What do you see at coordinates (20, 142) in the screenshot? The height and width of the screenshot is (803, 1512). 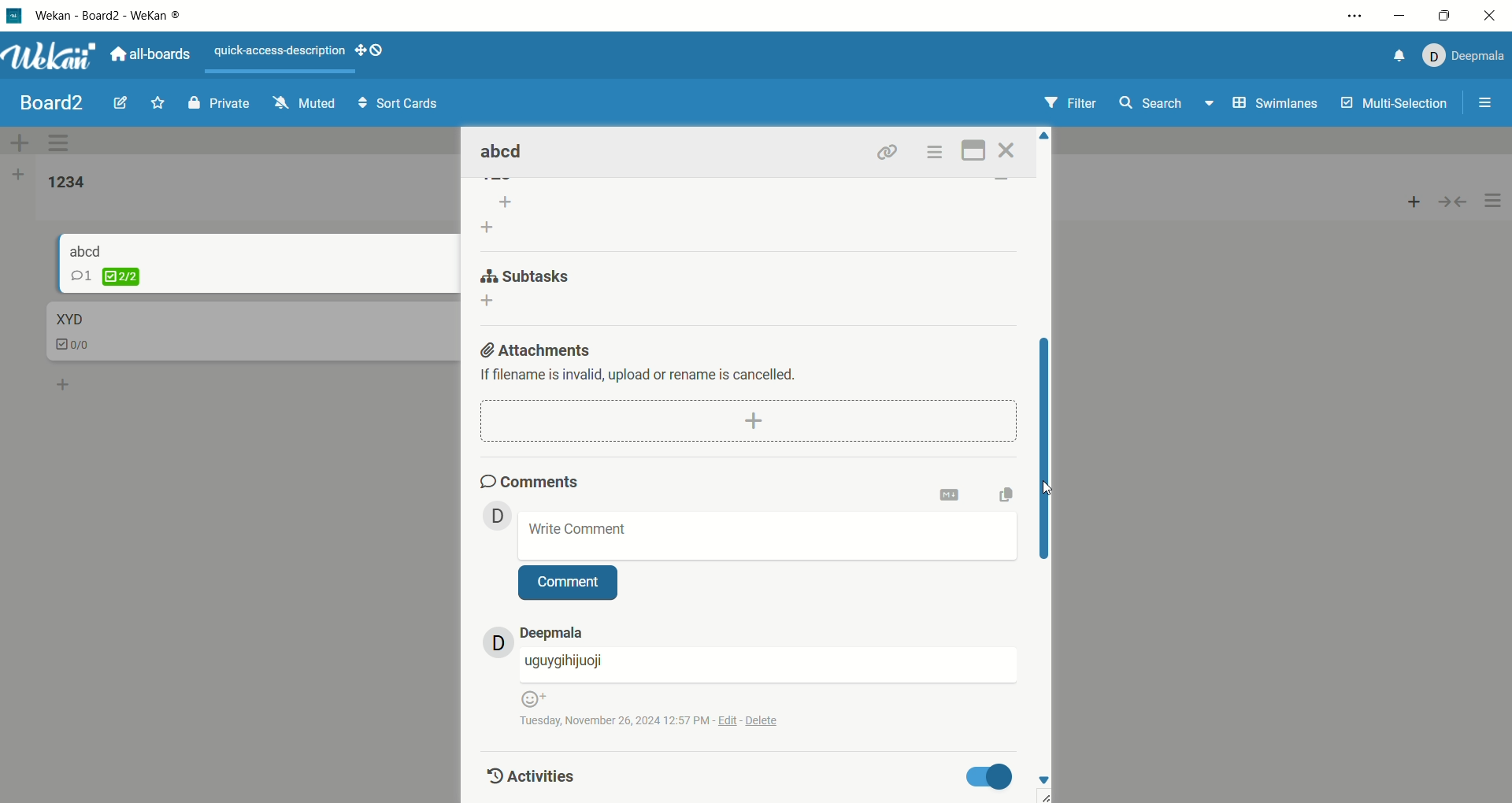 I see `add swimlane` at bounding box center [20, 142].